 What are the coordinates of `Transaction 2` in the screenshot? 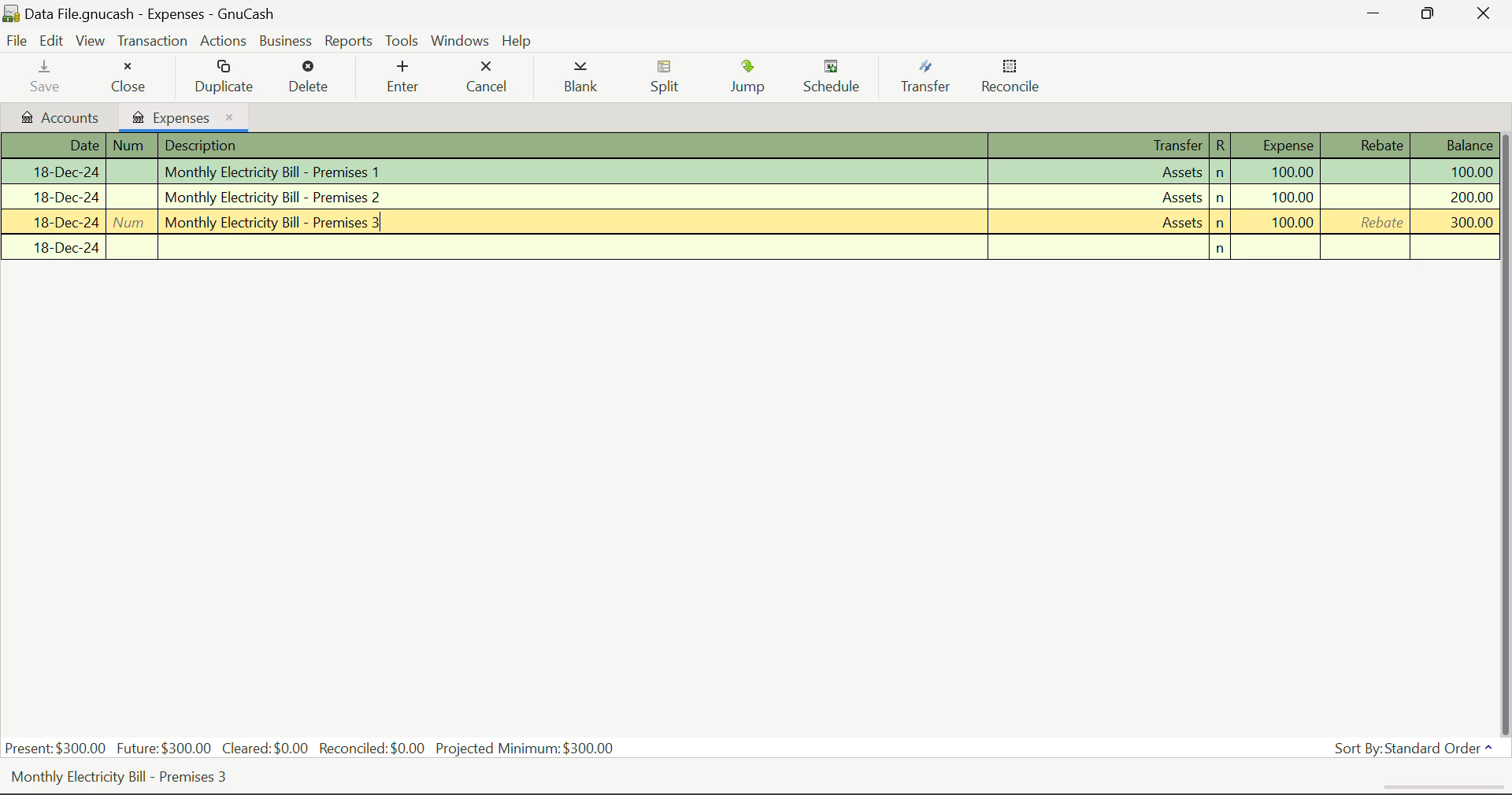 It's located at (750, 195).